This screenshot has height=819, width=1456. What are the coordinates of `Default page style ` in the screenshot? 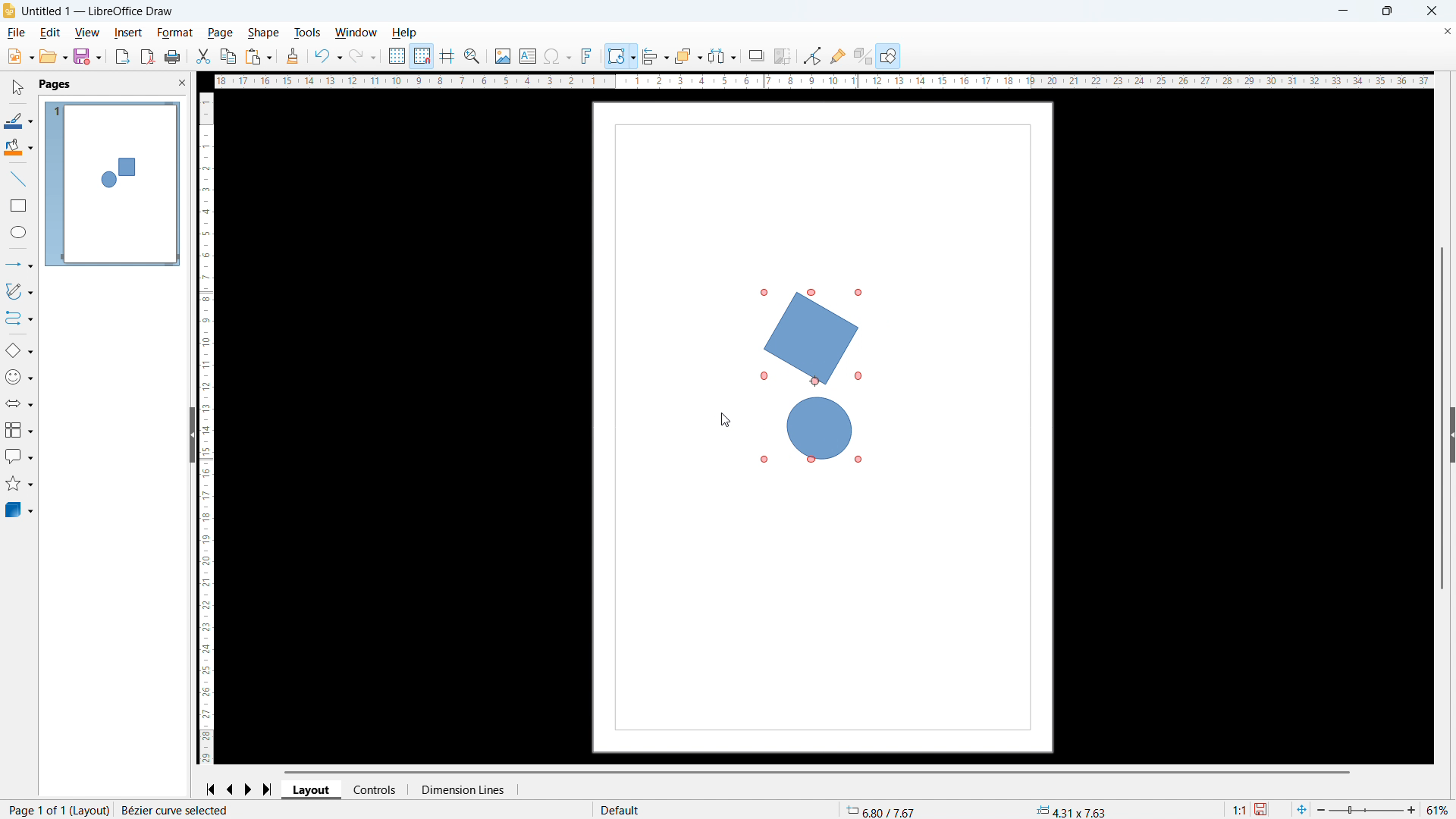 It's located at (623, 811).